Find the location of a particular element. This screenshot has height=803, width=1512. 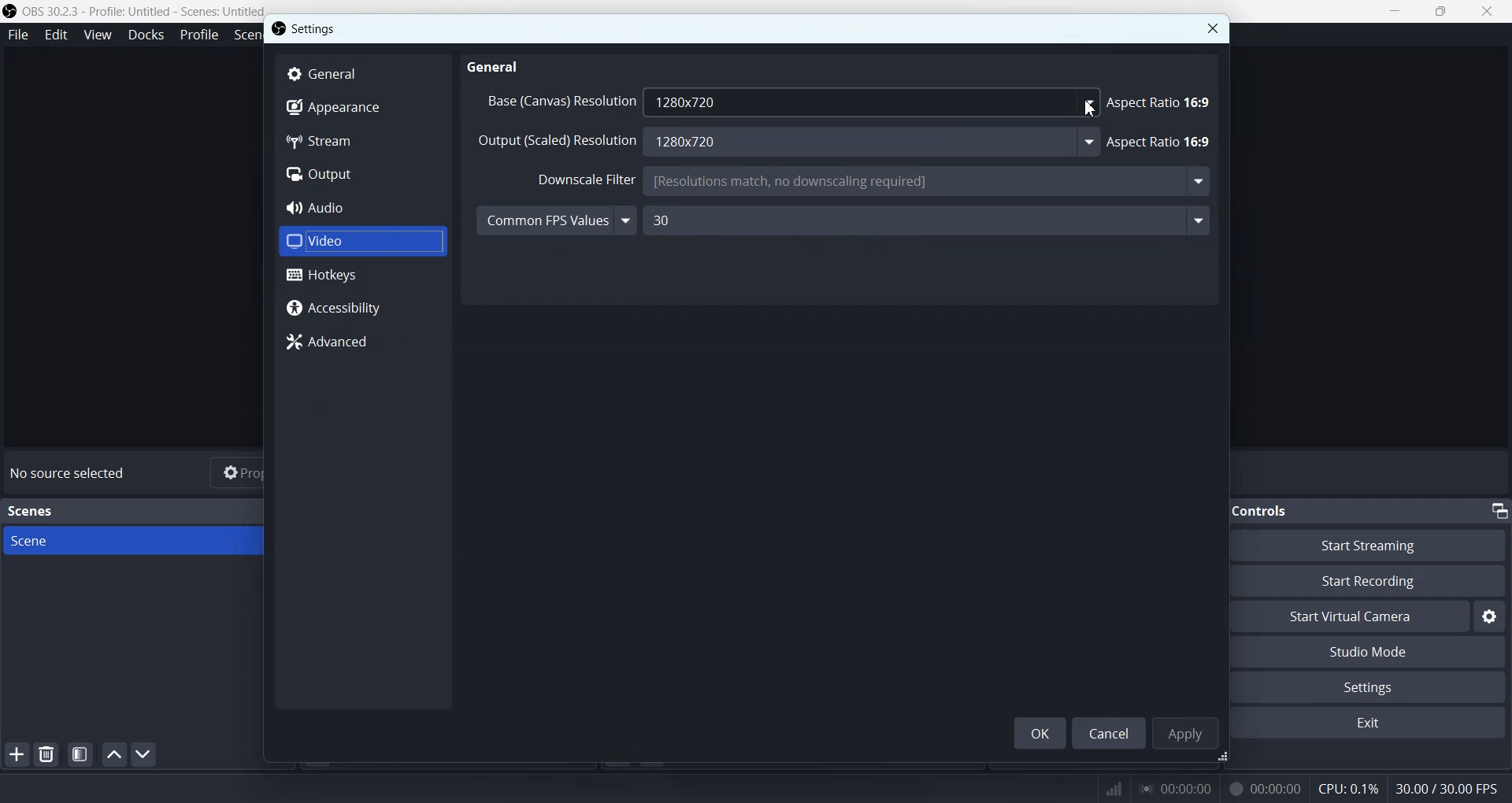

network is located at coordinates (1110, 786).